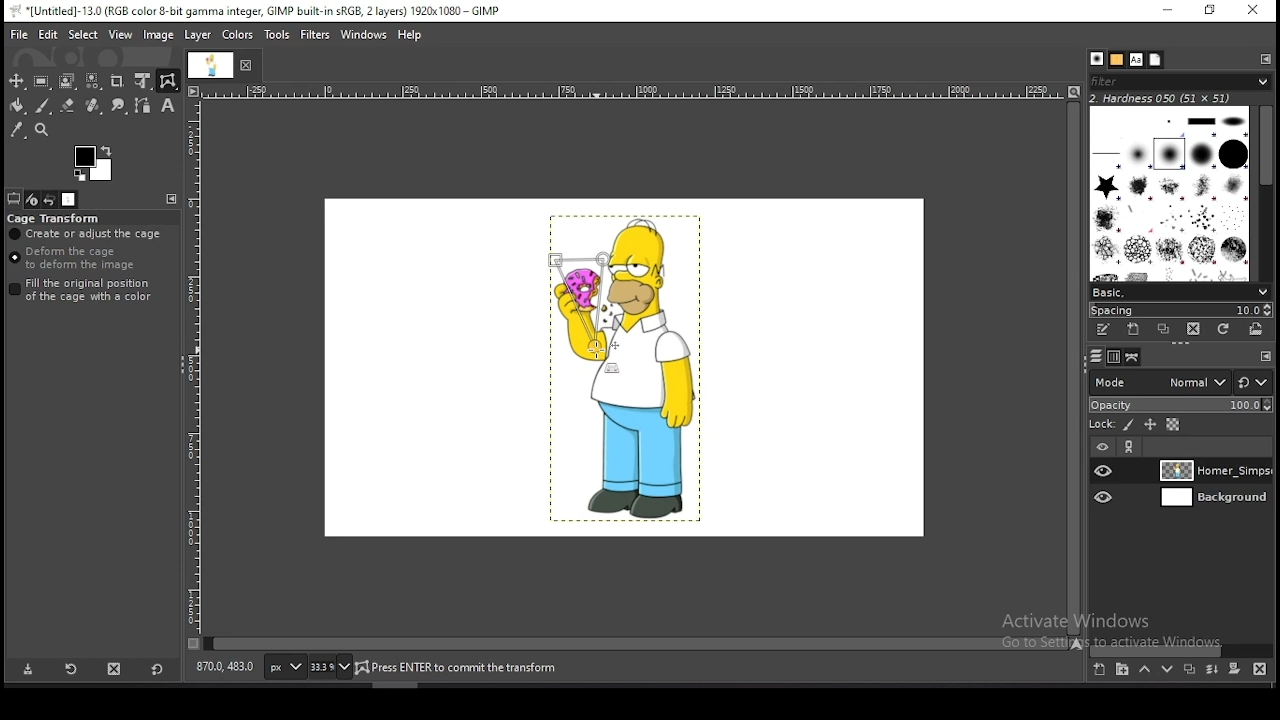 Image resolution: width=1280 pixels, height=720 pixels. Describe the element at coordinates (1149, 425) in the screenshot. I see `lock position and size` at that location.